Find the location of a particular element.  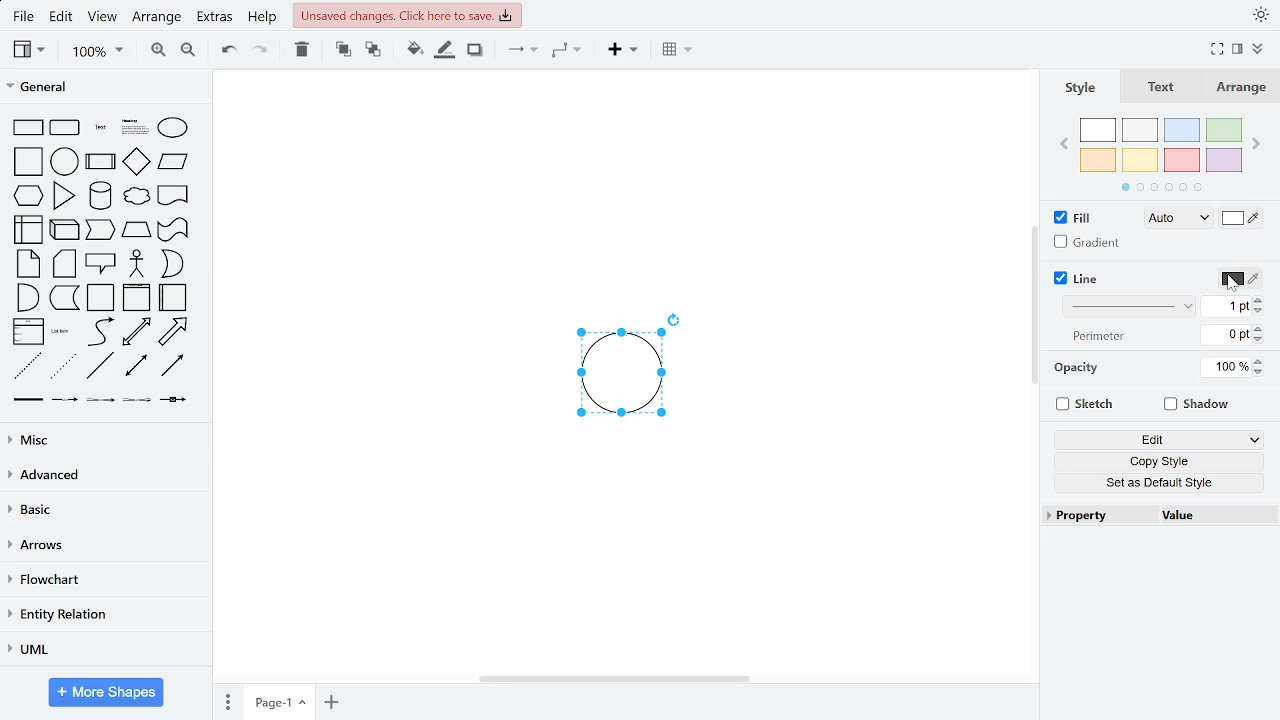

or is located at coordinates (173, 263).